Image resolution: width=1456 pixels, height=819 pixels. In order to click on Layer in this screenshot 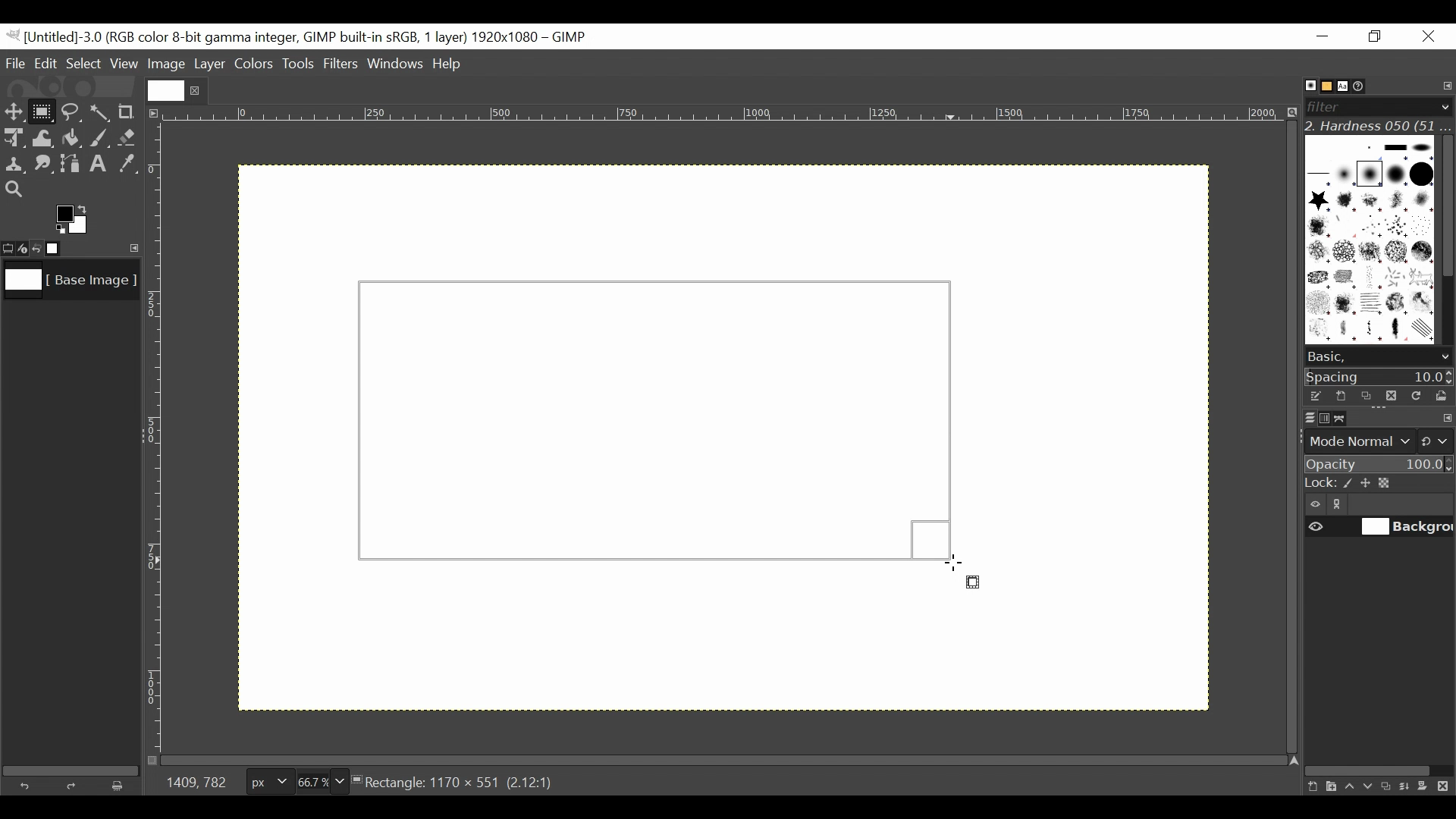, I will do `click(209, 63)`.